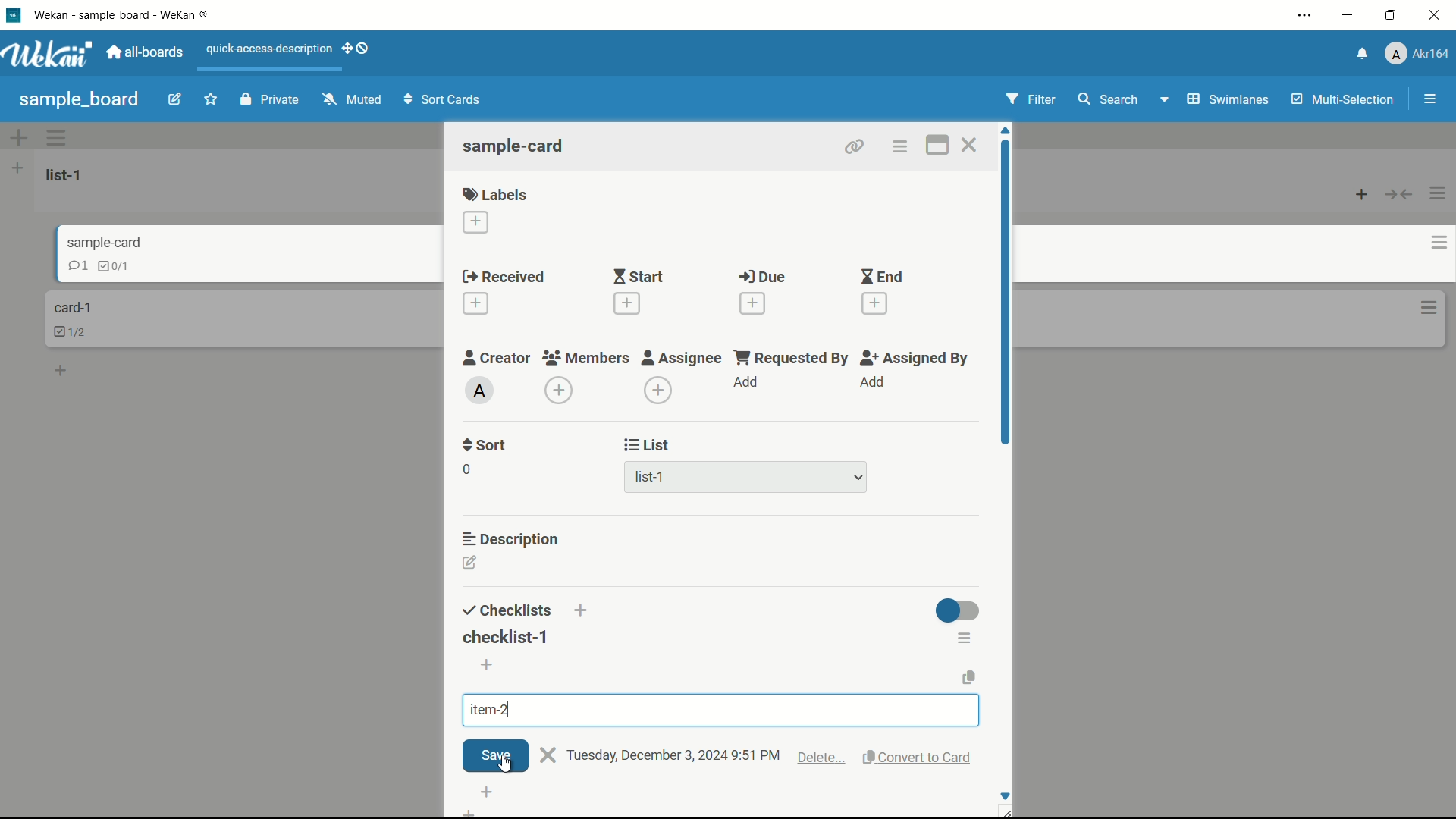 The width and height of the screenshot is (1456, 819). I want to click on app icon, so click(15, 14).